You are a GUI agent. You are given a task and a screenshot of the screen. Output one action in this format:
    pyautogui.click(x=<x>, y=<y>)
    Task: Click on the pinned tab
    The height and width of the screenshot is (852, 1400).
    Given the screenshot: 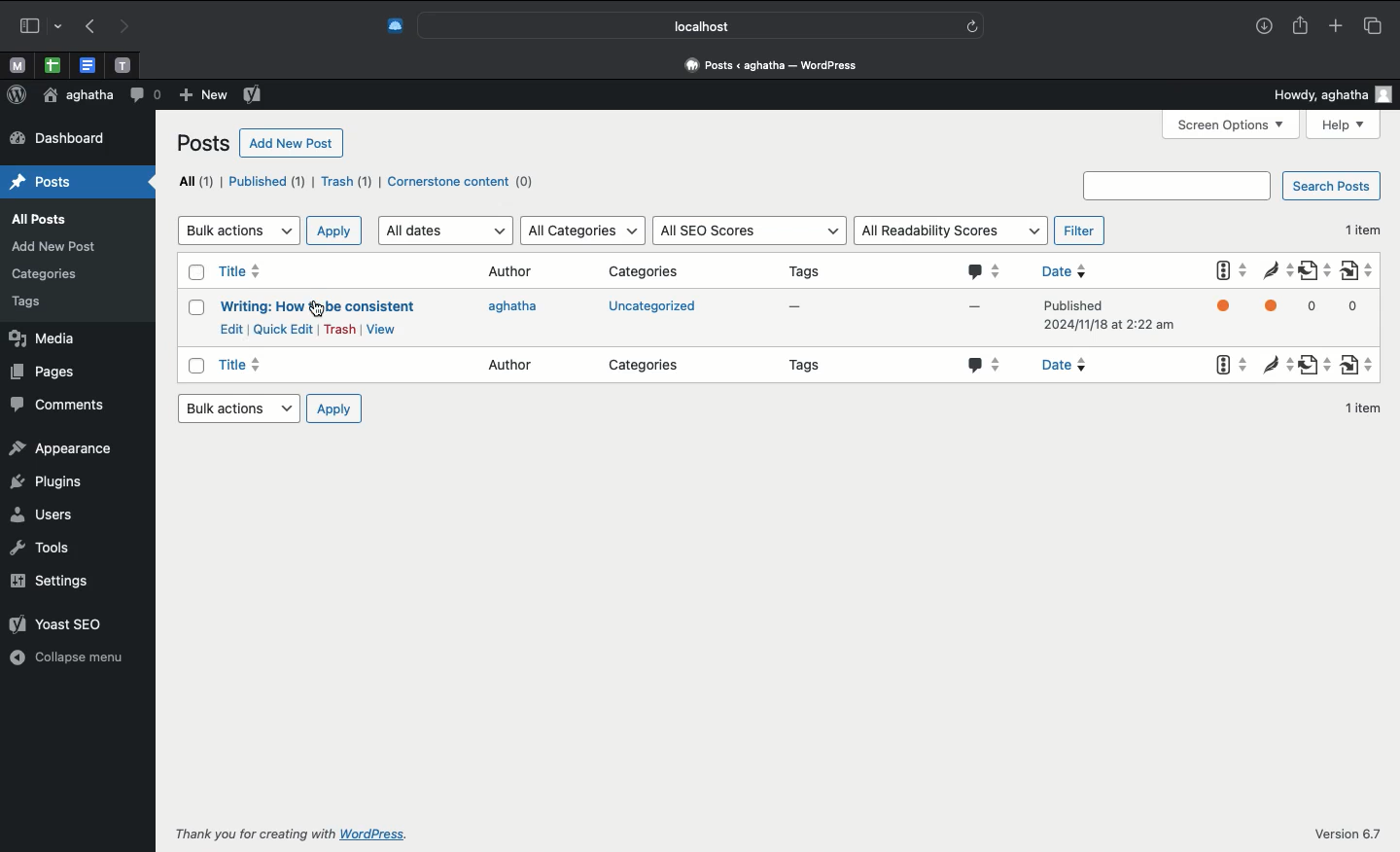 What is the action you would take?
    pyautogui.click(x=124, y=62)
    